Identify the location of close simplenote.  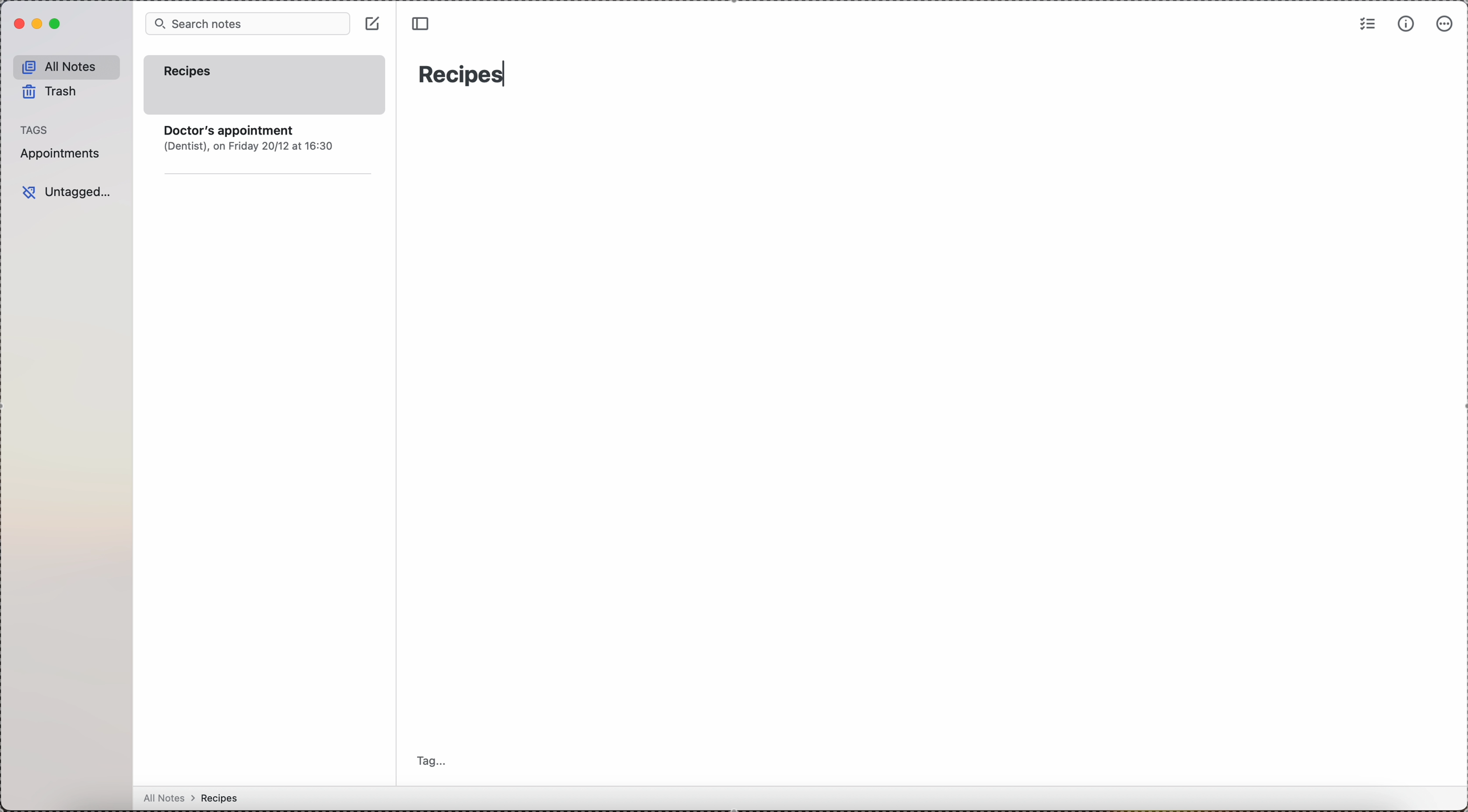
(17, 25).